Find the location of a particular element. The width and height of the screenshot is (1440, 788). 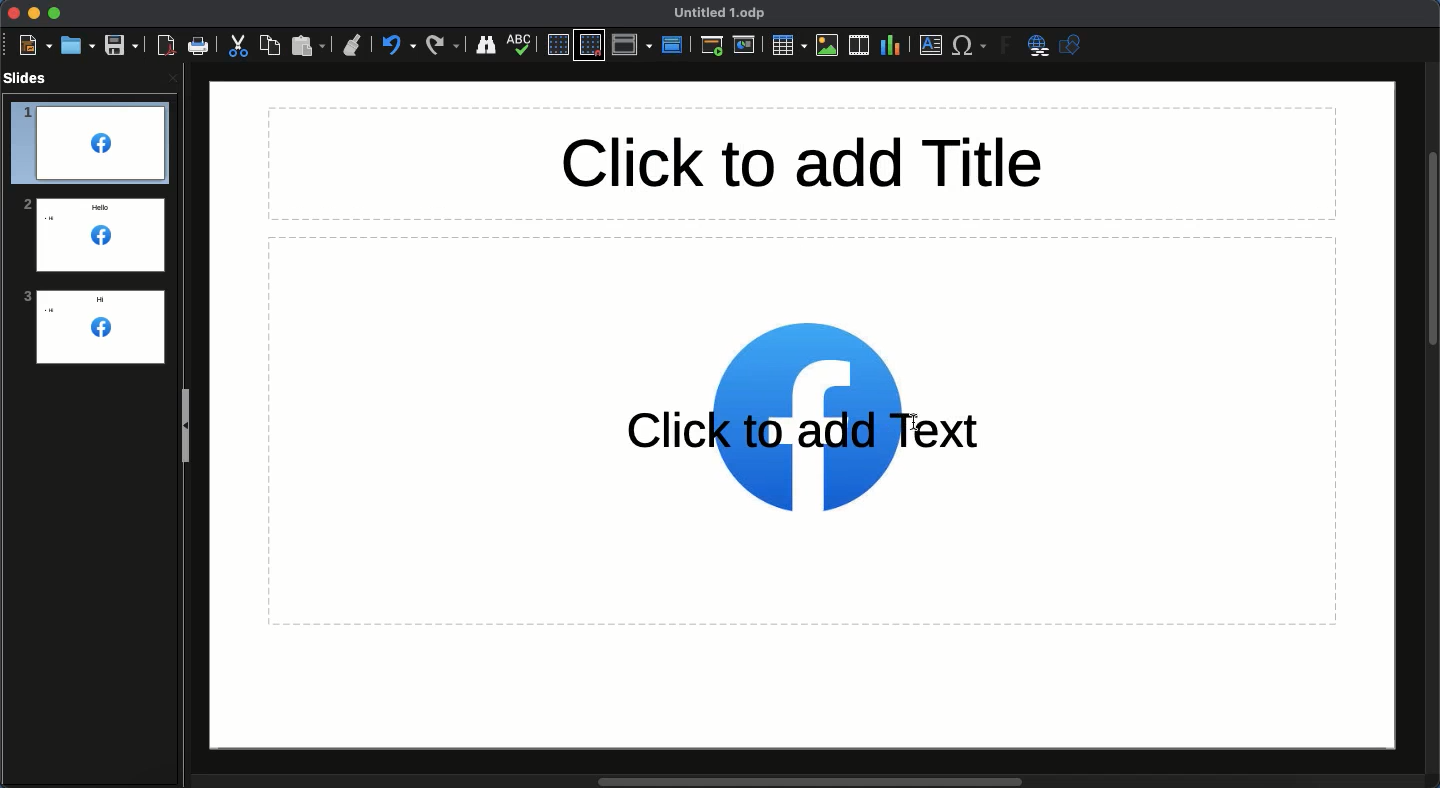

Cut is located at coordinates (238, 46).